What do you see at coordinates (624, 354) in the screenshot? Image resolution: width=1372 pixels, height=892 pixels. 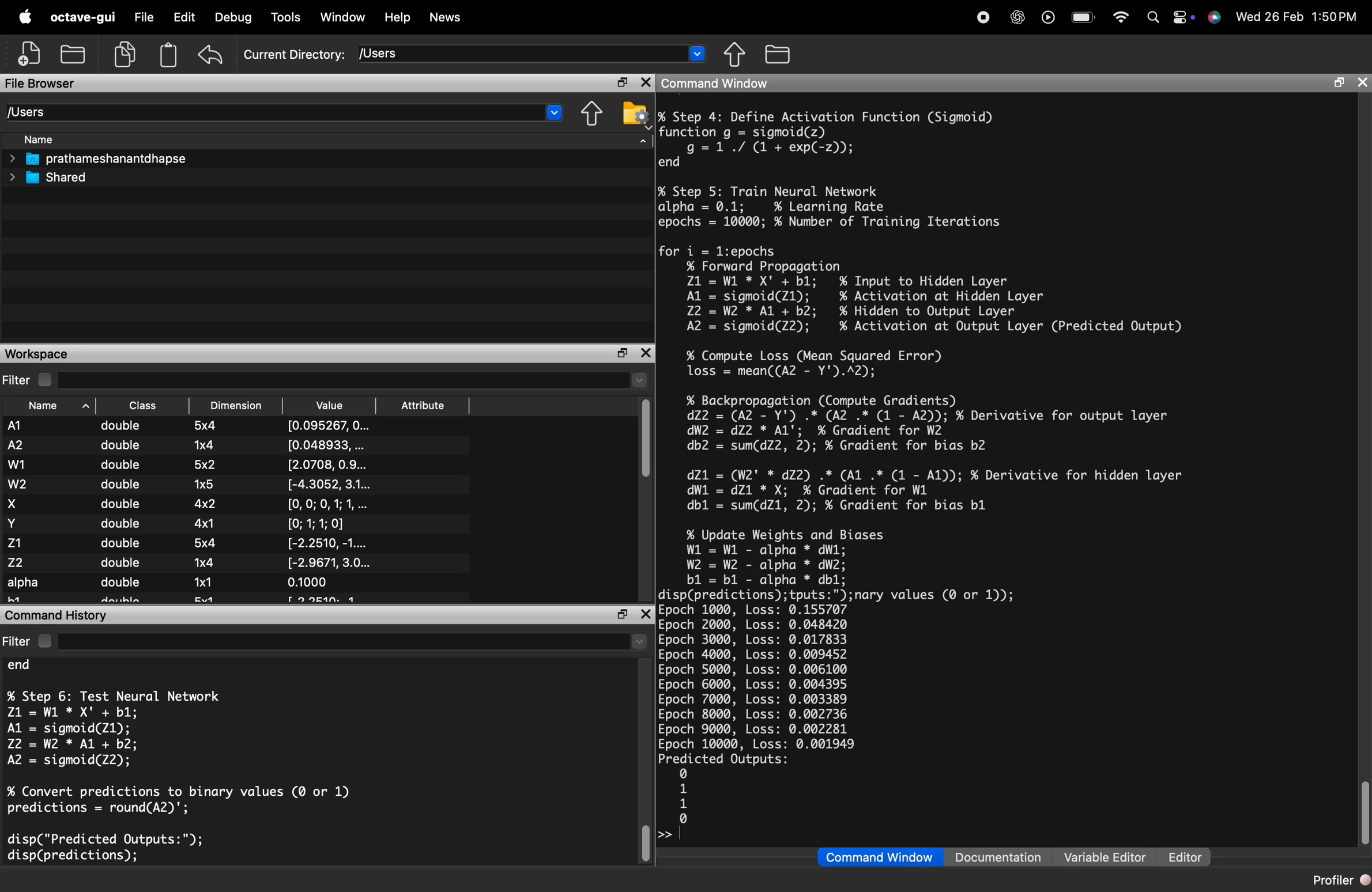 I see `Maximize` at bounding box center [624, 354].